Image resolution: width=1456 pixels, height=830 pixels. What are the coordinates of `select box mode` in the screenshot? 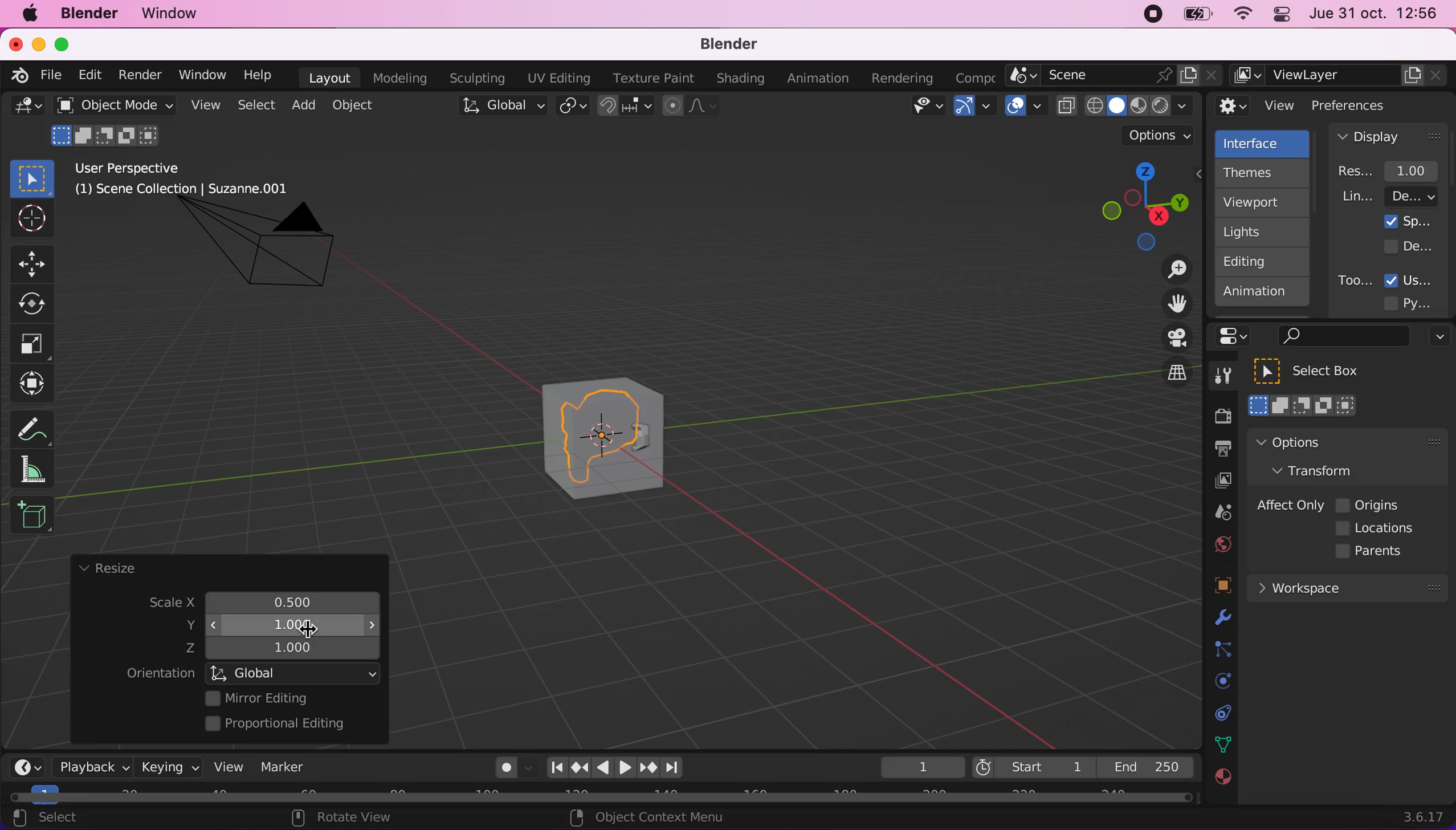 It's located at (1303, 405).